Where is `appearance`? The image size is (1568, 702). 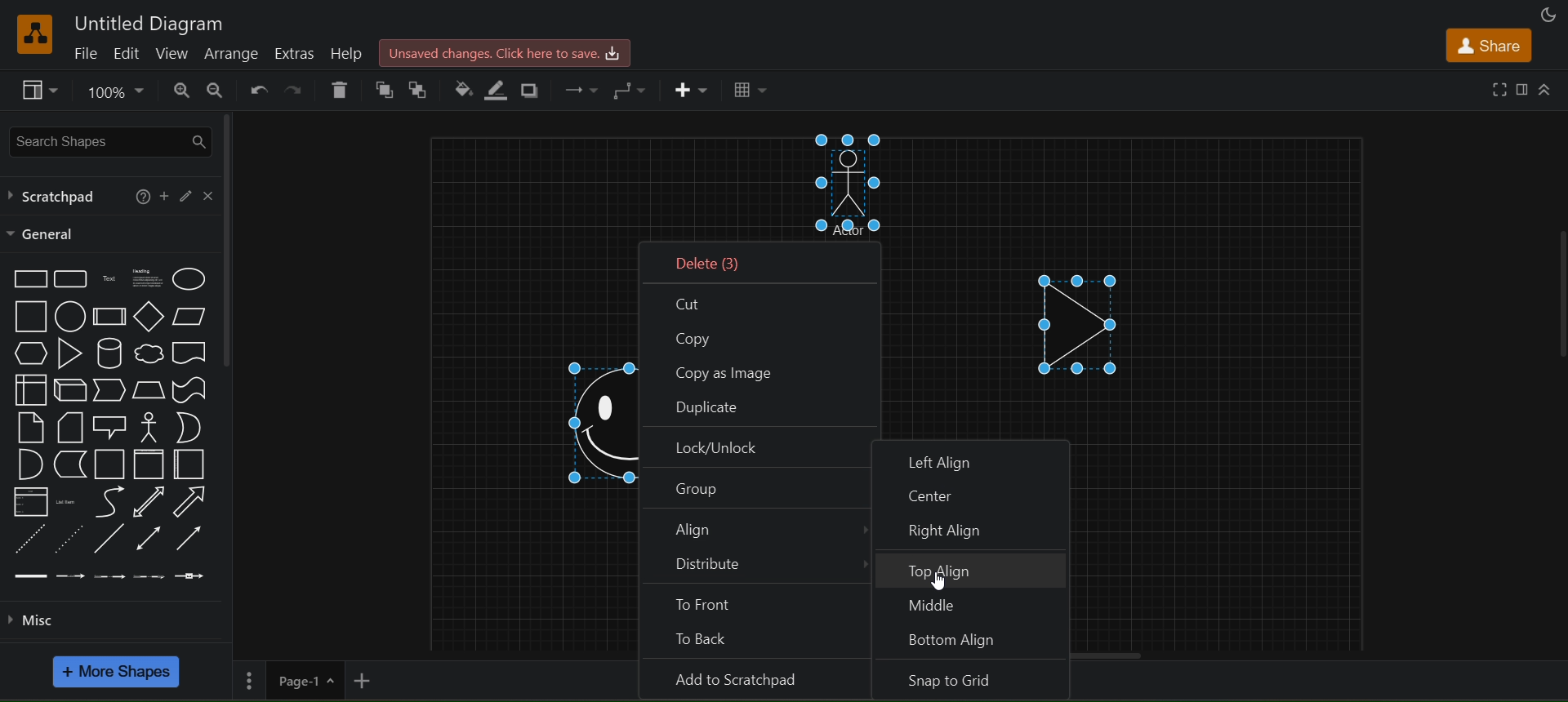 appearance is located at coordinates (1547, 15).